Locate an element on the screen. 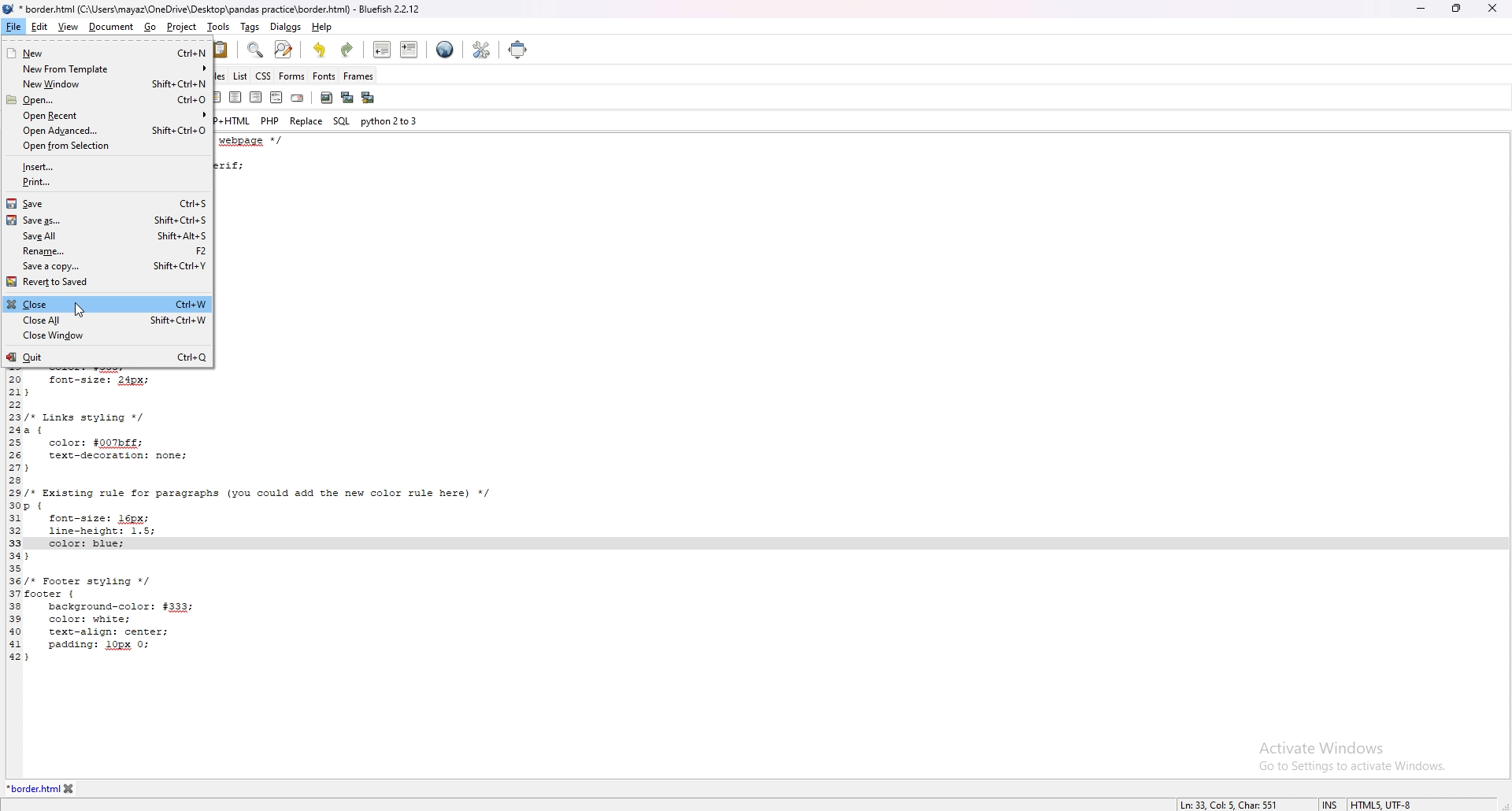 The image size is (1512, 811). minimize is located at coordinates (1421, 10).